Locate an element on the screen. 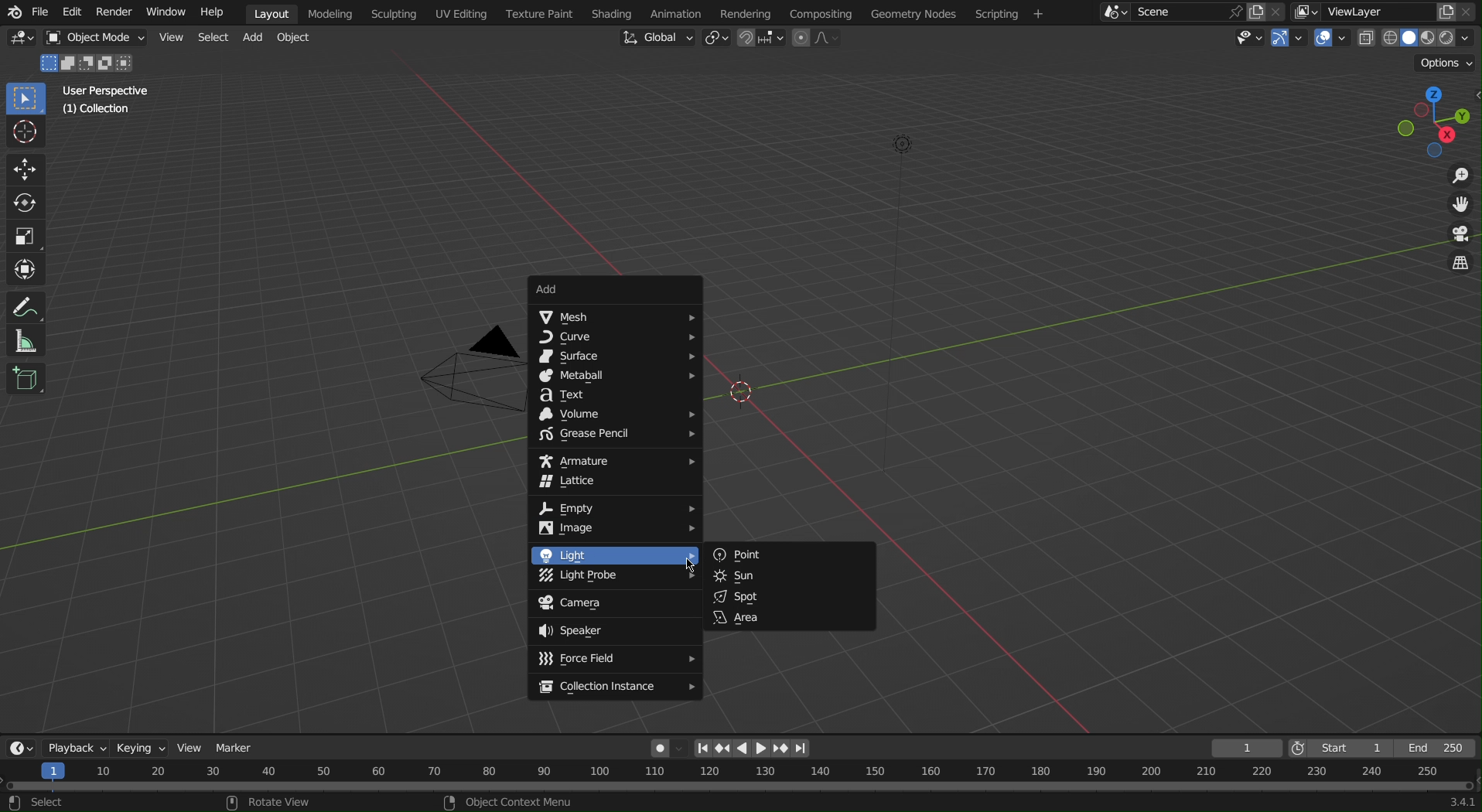  Snapping is located at coordinates (762, 39).